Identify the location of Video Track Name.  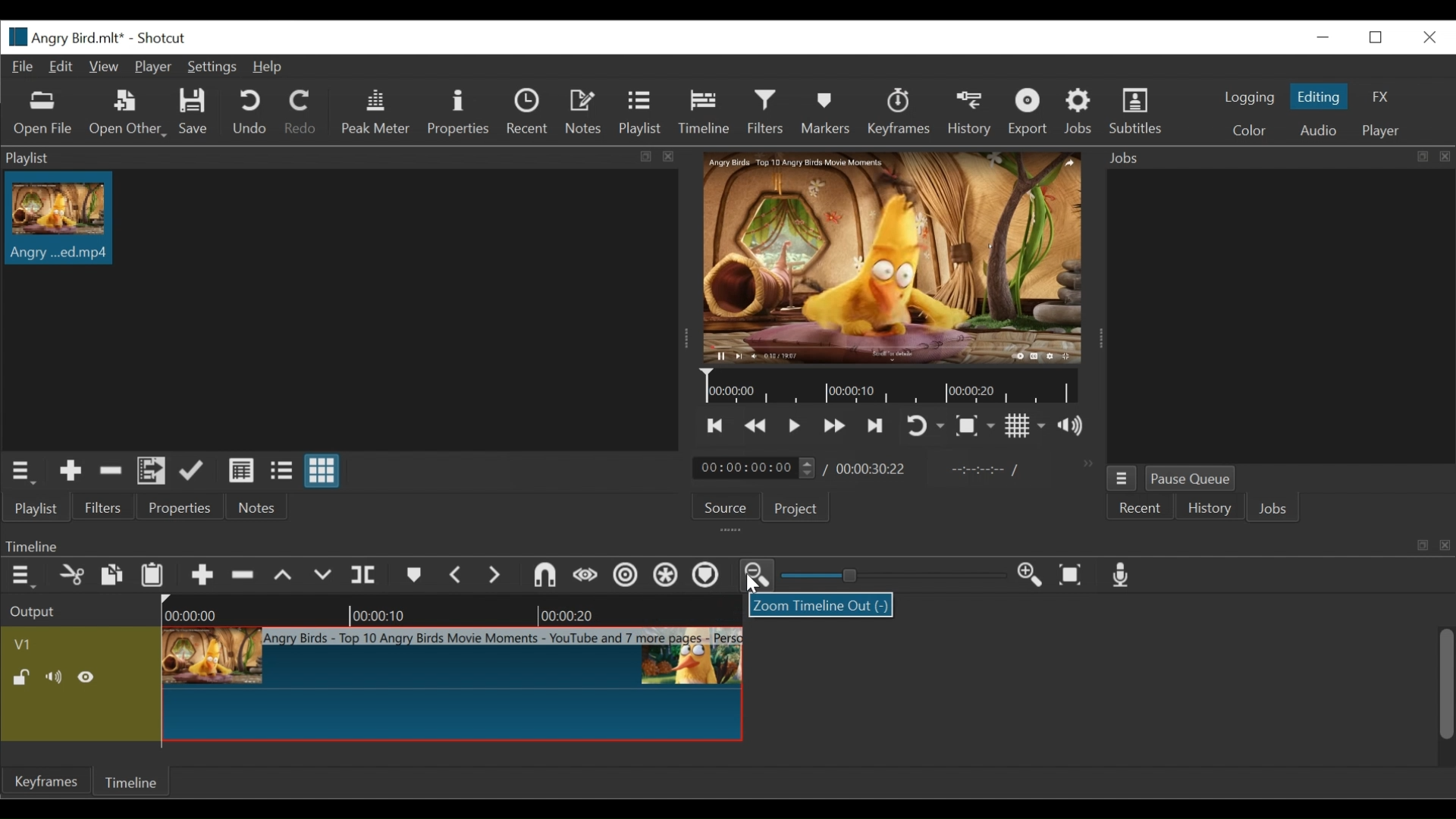
(78, 642).